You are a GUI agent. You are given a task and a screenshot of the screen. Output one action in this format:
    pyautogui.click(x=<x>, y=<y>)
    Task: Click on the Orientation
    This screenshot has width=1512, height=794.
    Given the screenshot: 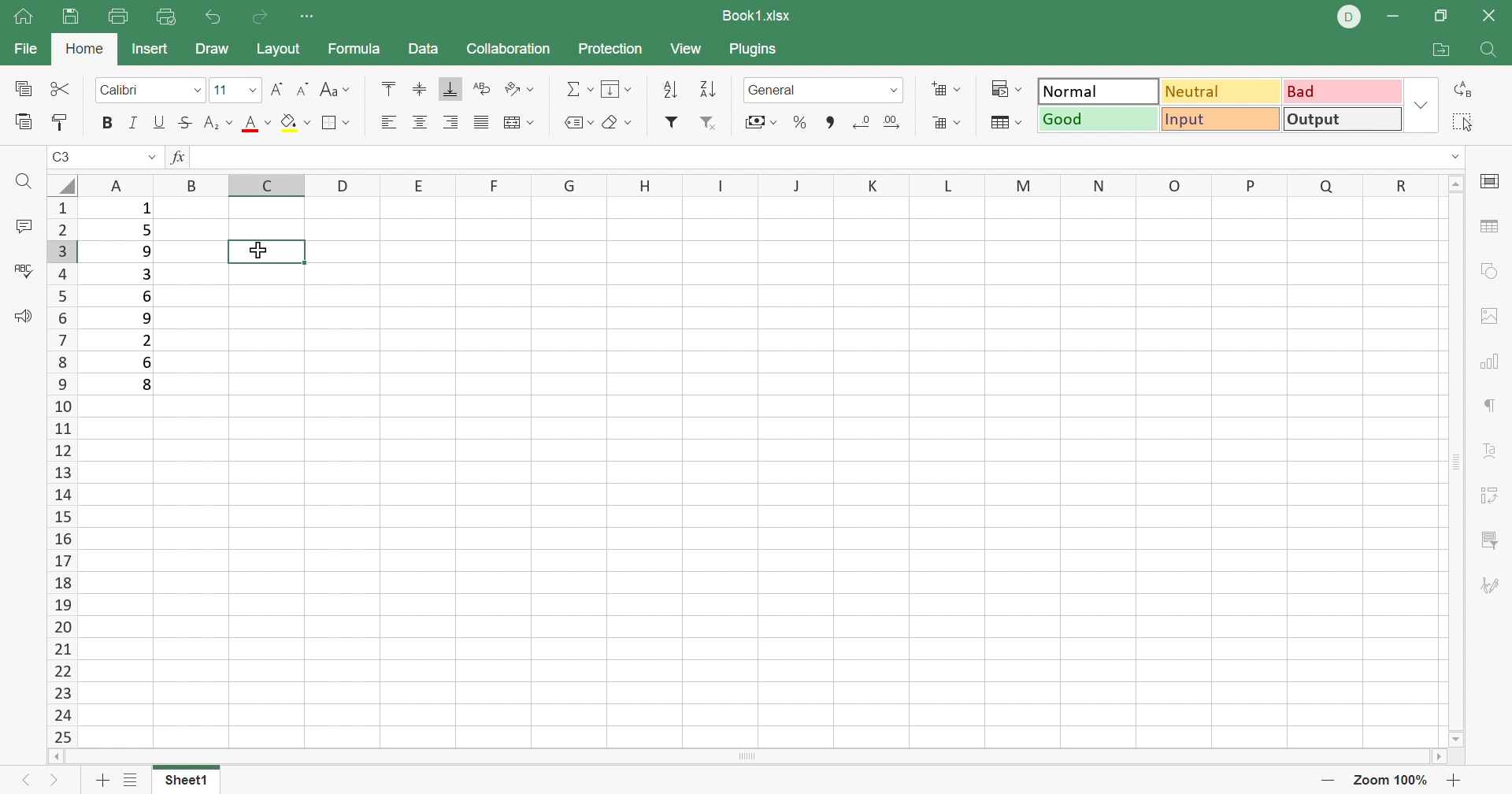 What is the action you would take?
    pyautogui.click(x=521, y=91)
    